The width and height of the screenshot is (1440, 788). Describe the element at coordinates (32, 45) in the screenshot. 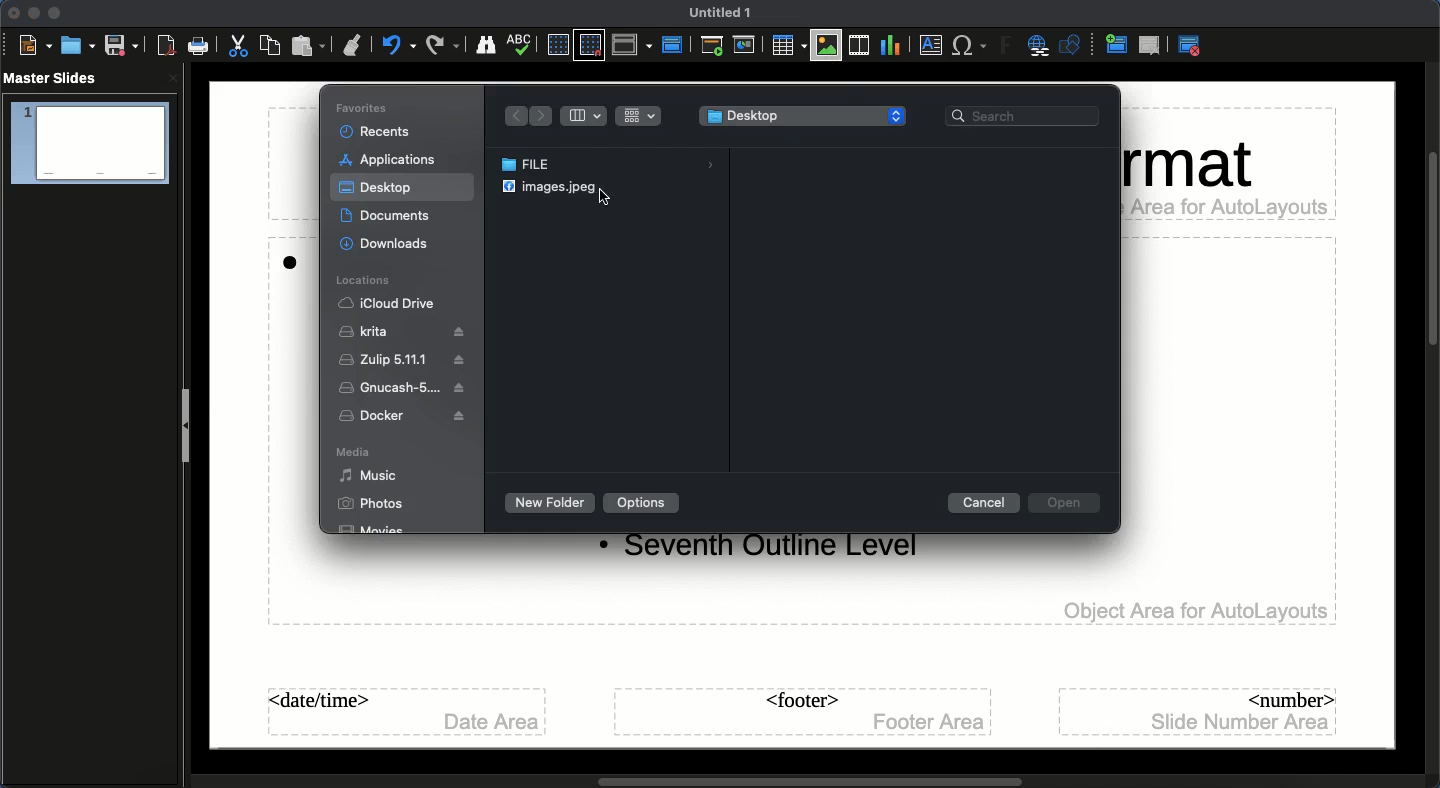

I see `New` at that location.